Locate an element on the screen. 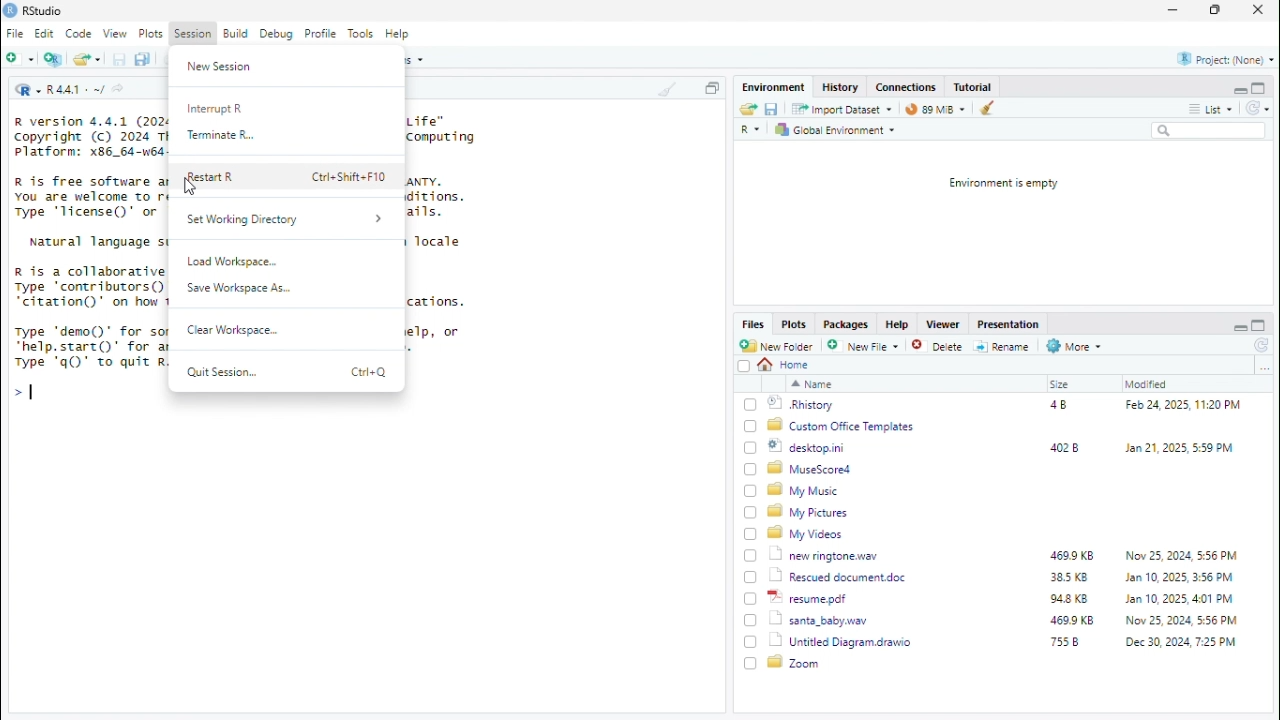  Checkbox is located at coordinates (751, 404).